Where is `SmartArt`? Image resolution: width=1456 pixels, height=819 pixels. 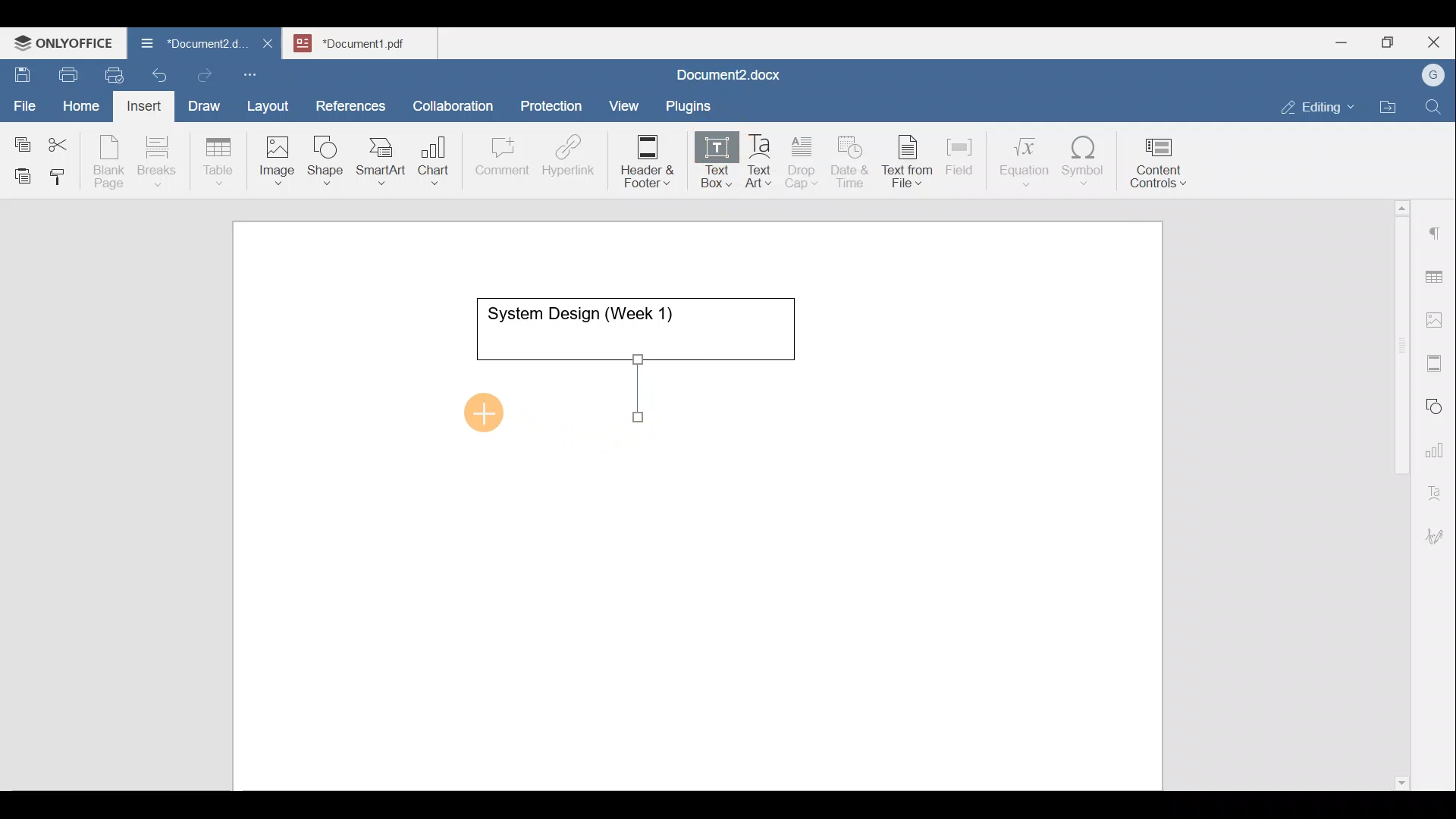
SmartArt is located at coordinates (378, 158).